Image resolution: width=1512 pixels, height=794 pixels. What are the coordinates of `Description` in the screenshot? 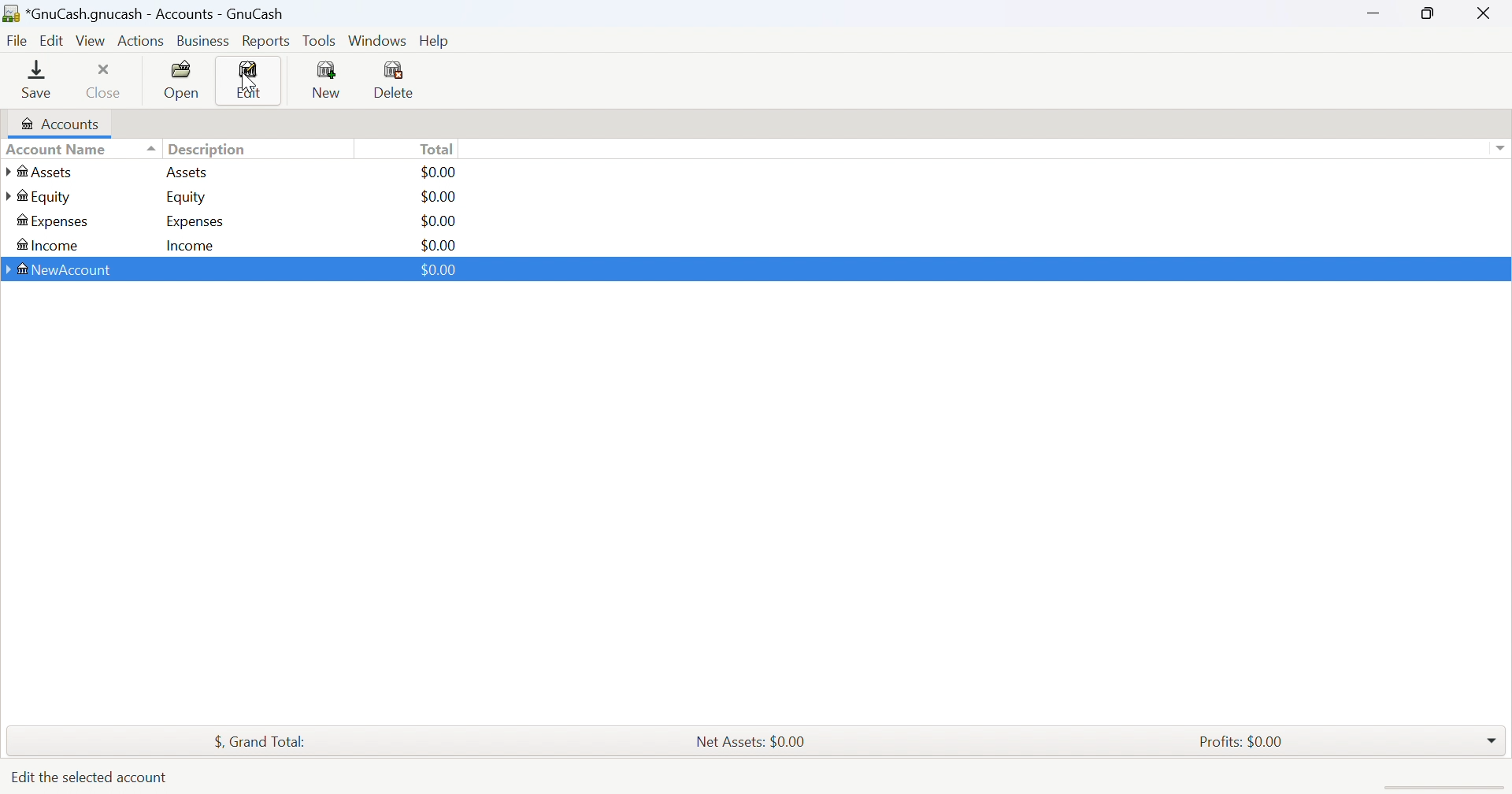 It's located at (208, 150).